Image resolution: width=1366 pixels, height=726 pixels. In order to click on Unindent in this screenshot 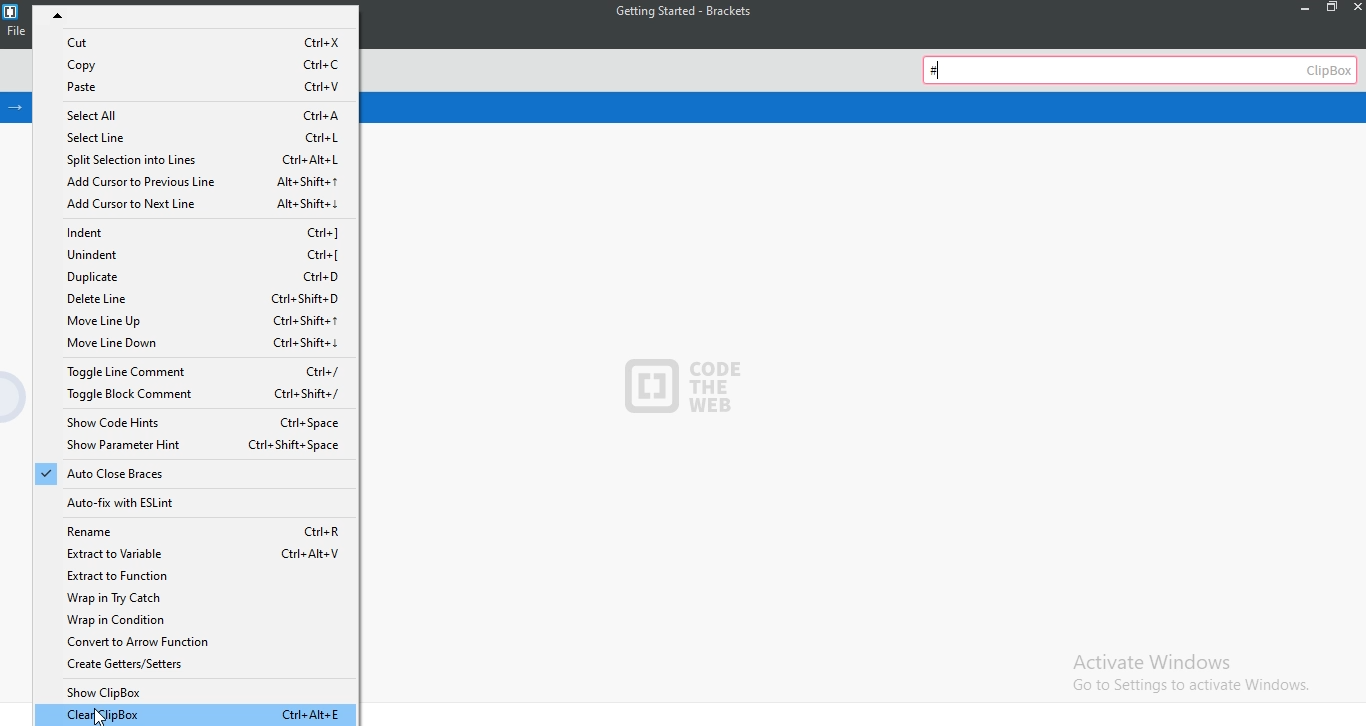, I will do `click(202, 255)`.